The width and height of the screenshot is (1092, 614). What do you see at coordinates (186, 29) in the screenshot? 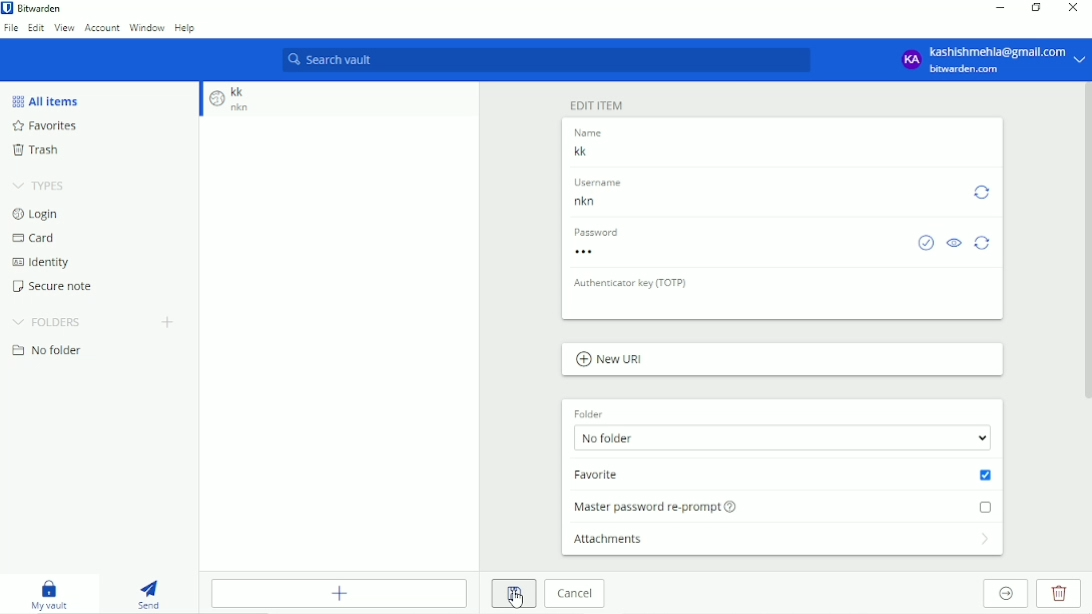
I see `Help` at bounding box center [186, 29].